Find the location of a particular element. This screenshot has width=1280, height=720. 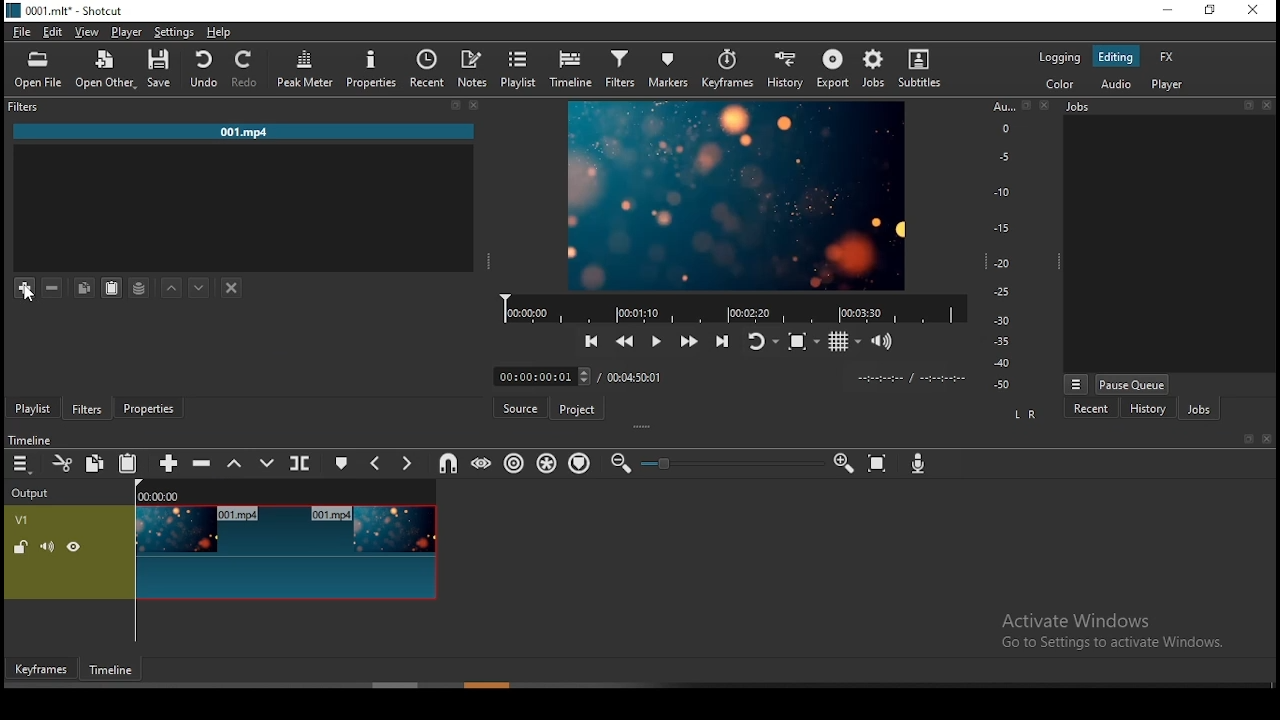

copy filter is located at coordinates (85, 288).